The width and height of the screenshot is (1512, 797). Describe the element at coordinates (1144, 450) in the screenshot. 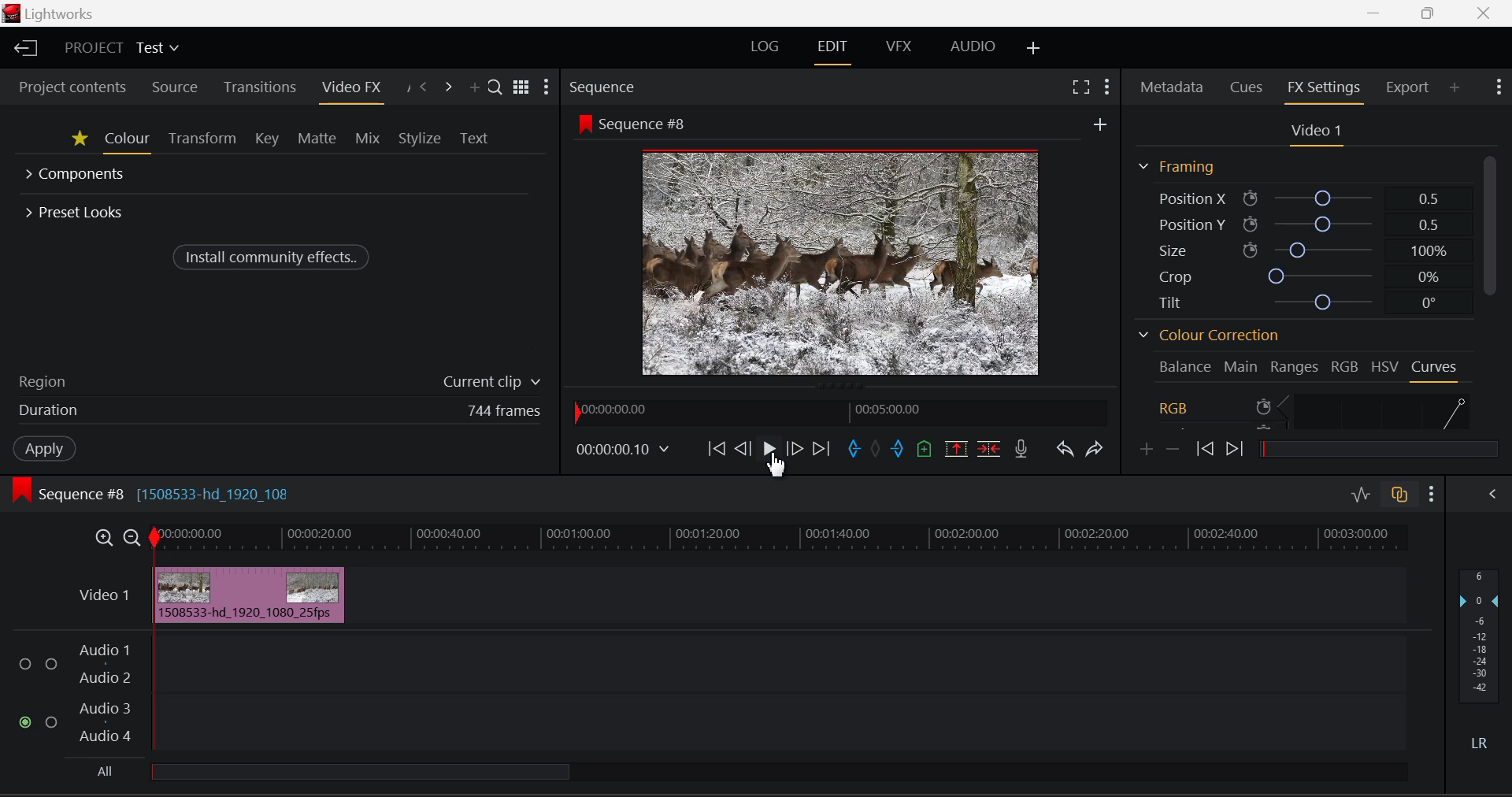

I see `Add keyframe` at that location.